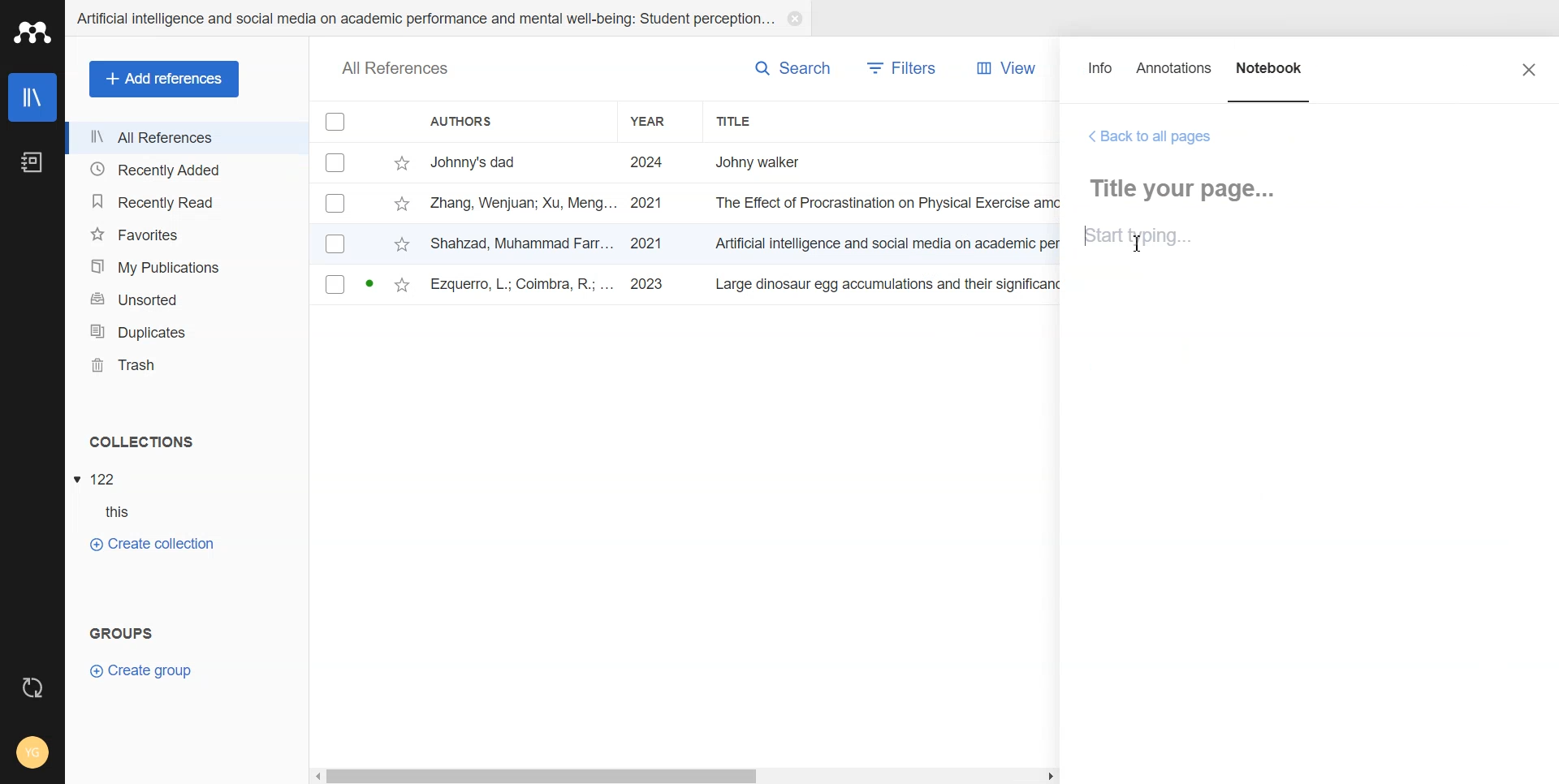  I want to click on Trash, so click(187, 365).